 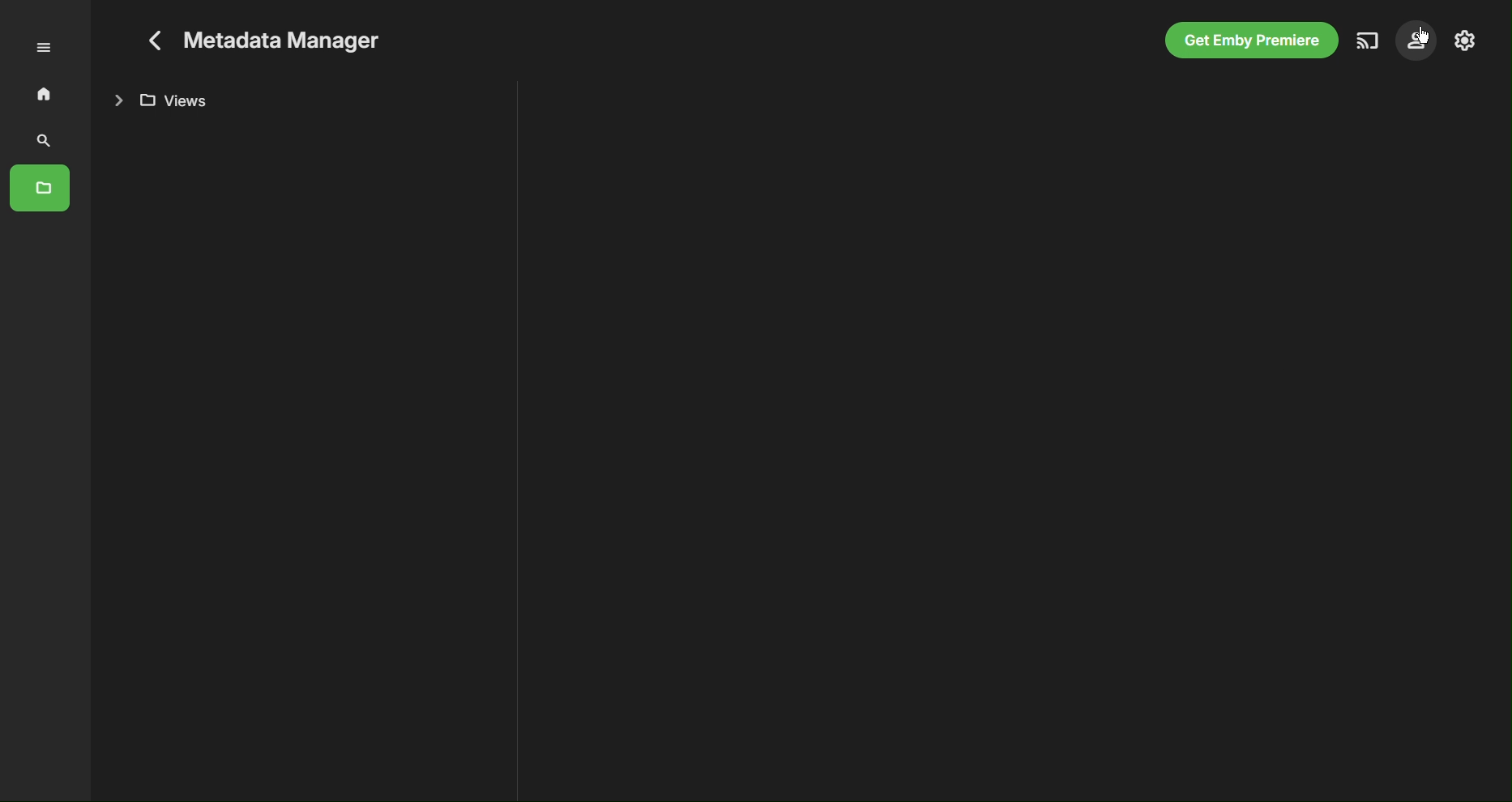 What do you see at coordinates (1367, 41) in the screenshot?
I see `Cast Media` at bounding box center [1367, 41].